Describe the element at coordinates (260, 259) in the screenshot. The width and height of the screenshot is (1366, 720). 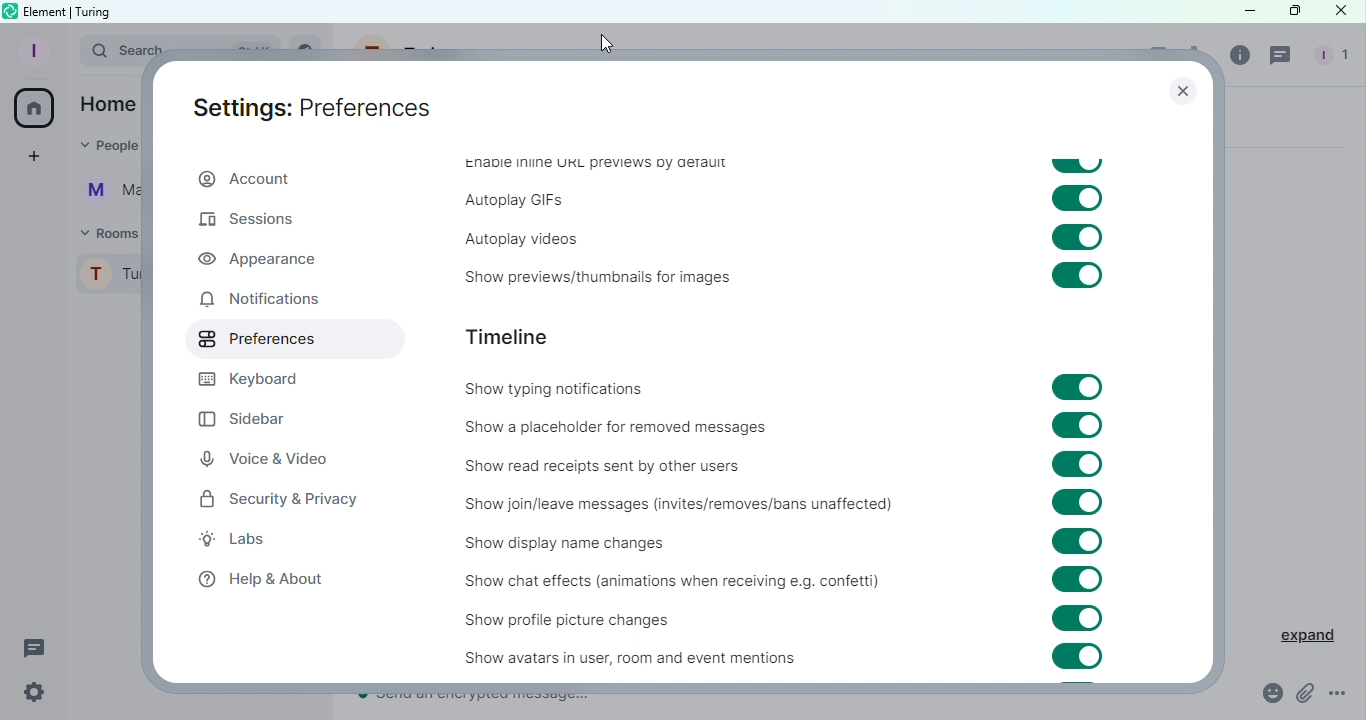
I see `Appearance` at that location.